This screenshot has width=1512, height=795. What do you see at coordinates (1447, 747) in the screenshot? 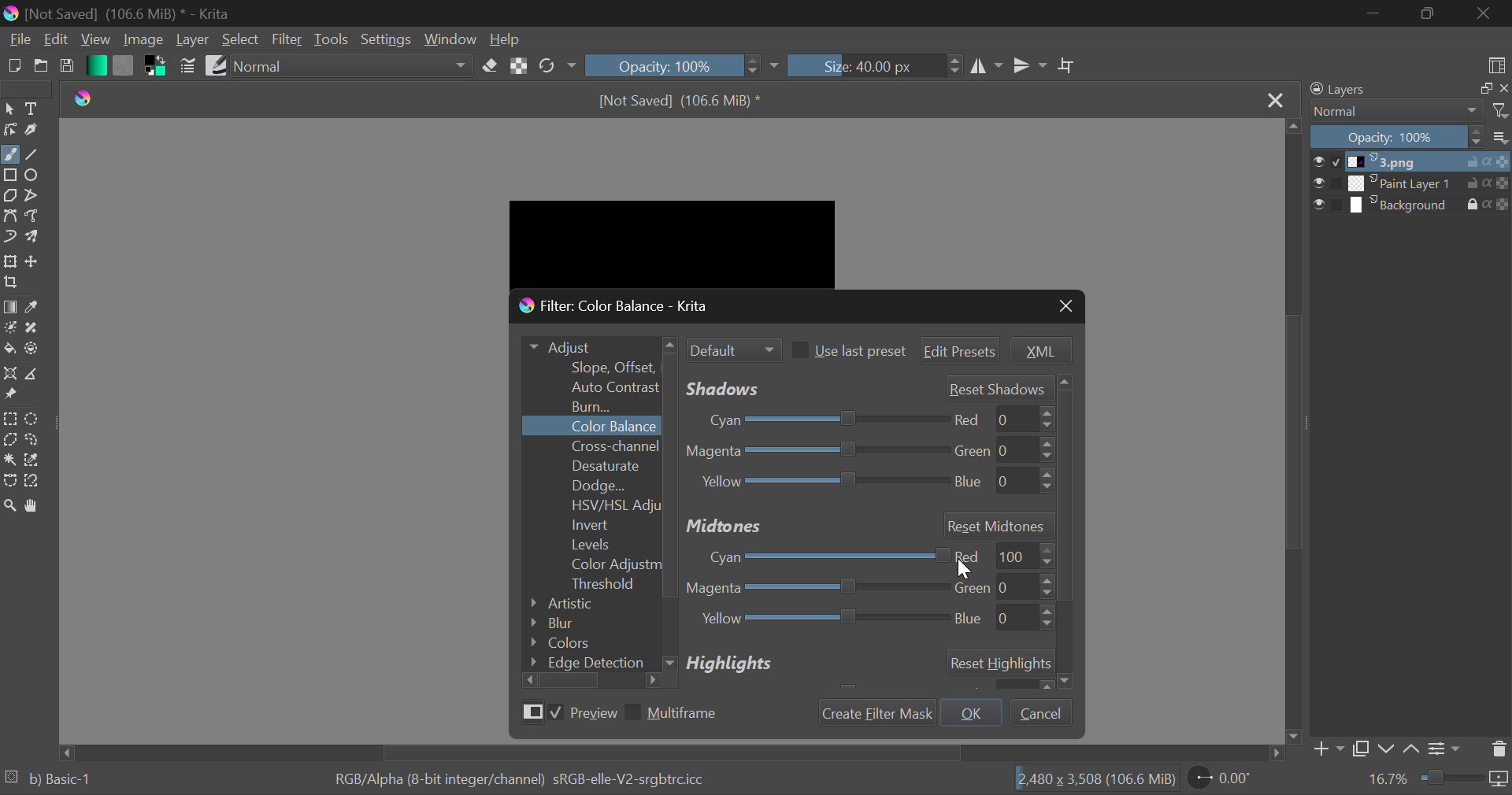
I see `Settings` at bounding box center [1447, 747].